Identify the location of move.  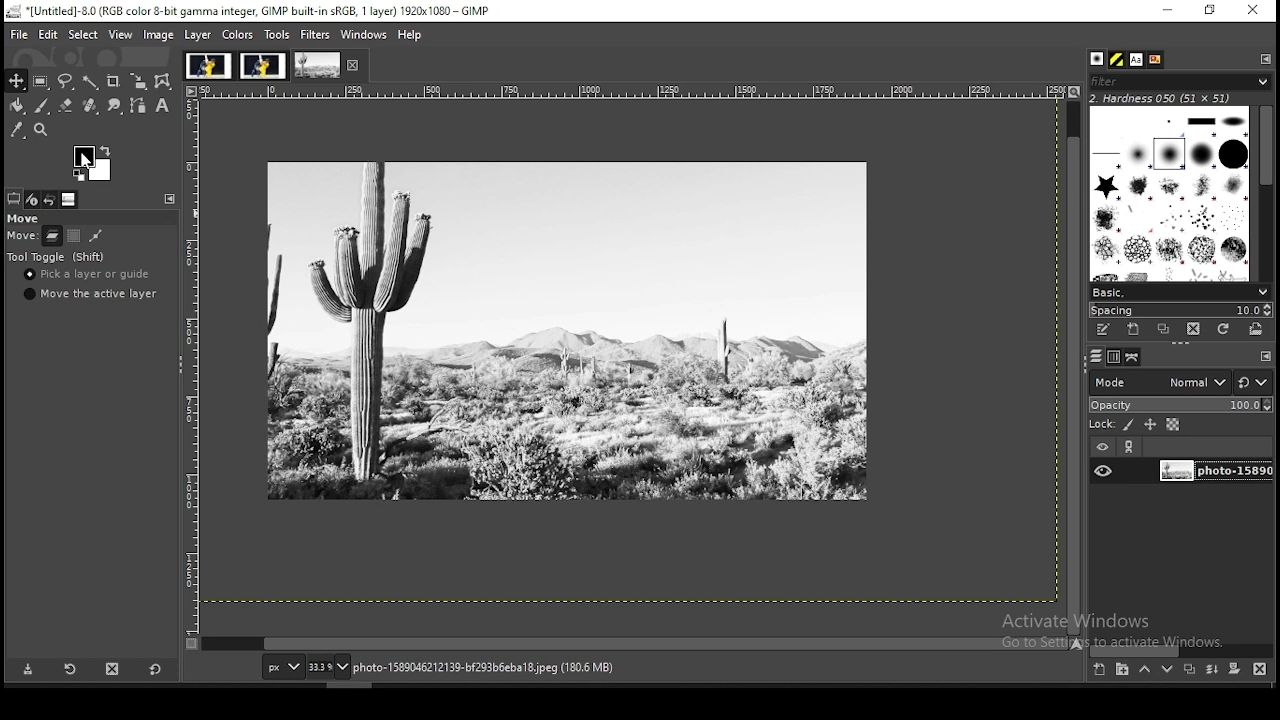
(21, 237).